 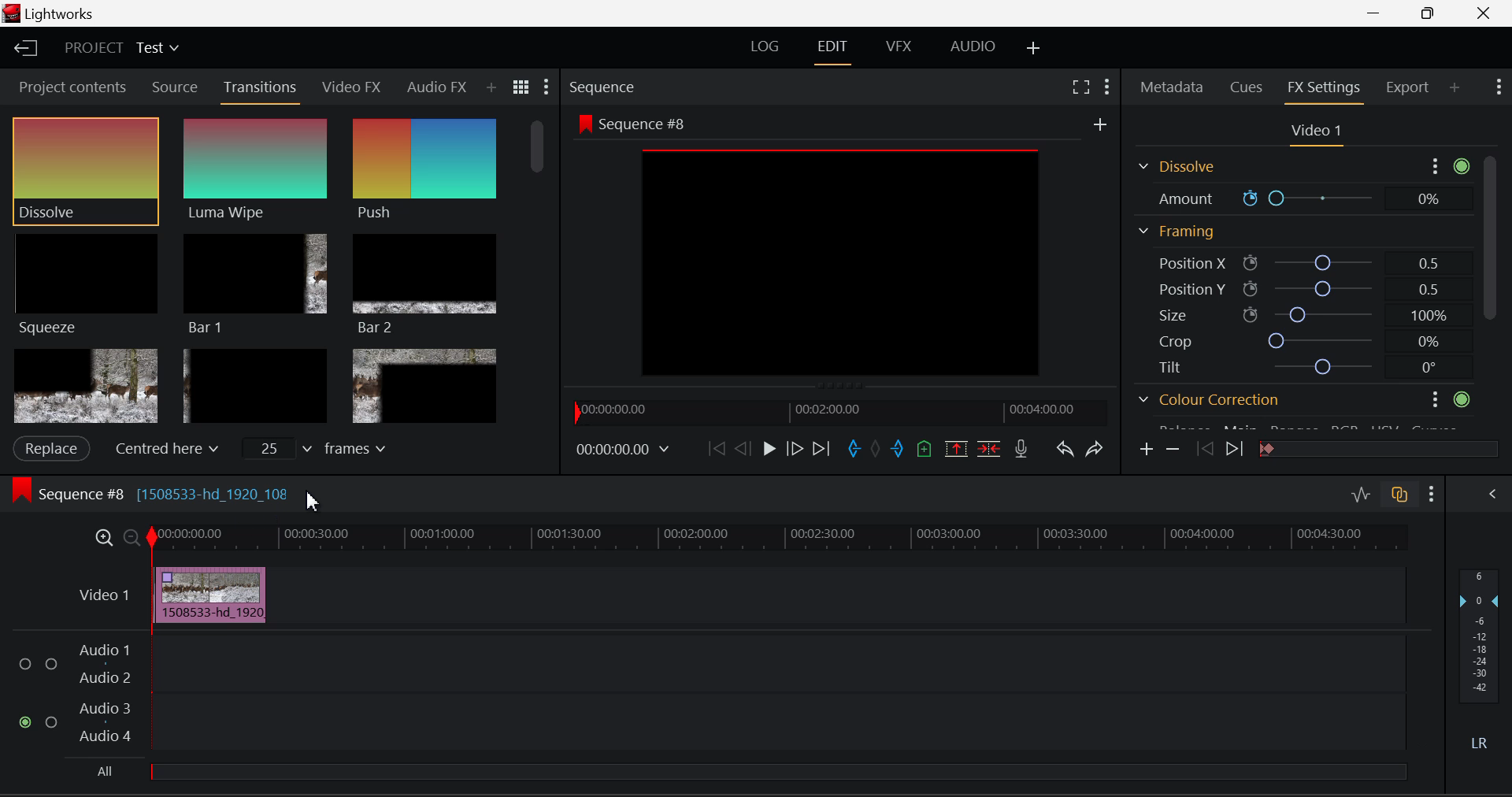 I want to click on Scroll Bar, so click(x=1492, y=290).